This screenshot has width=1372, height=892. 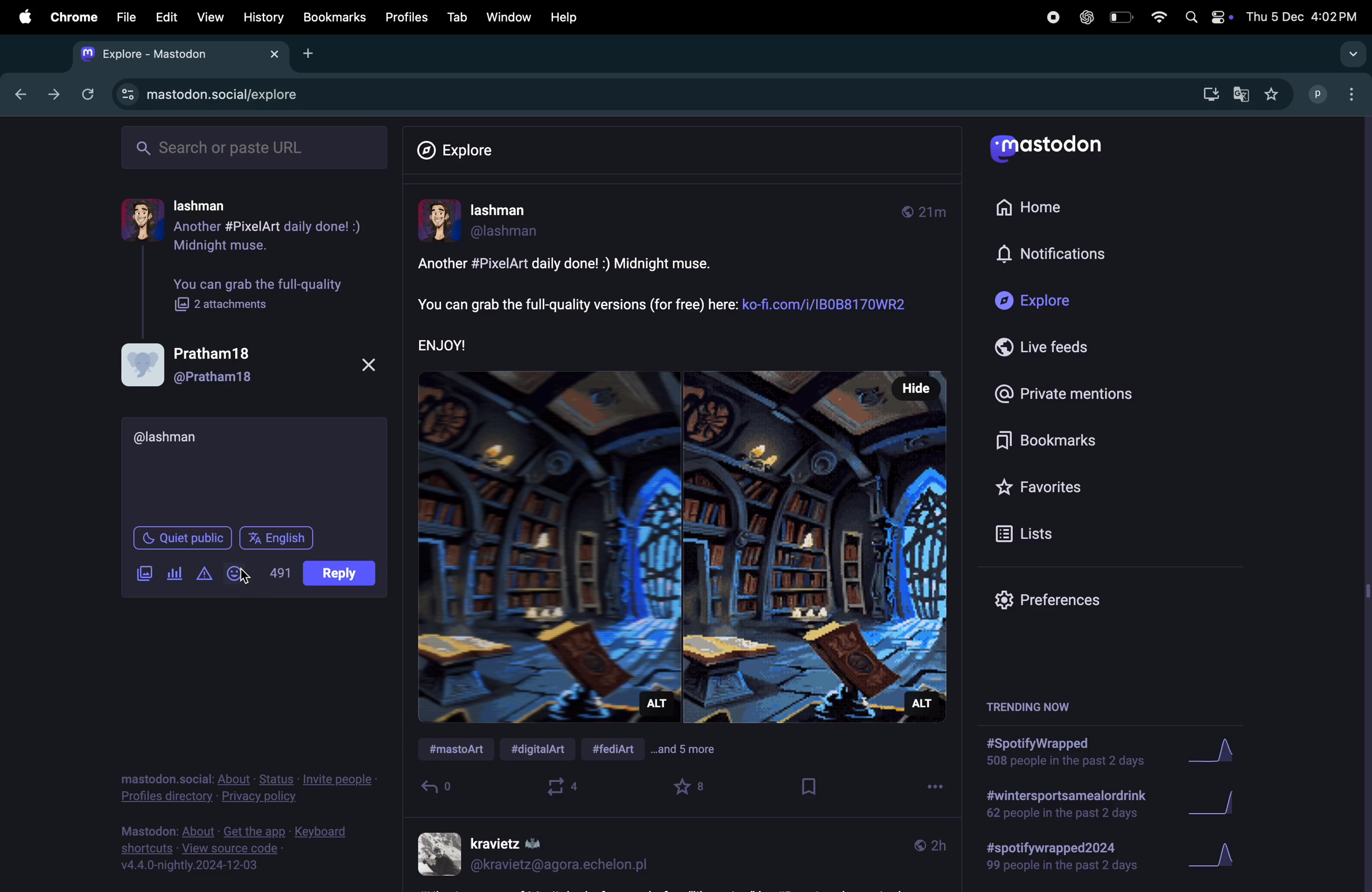 I want to click on notifications, so click(x=1093, y=256).